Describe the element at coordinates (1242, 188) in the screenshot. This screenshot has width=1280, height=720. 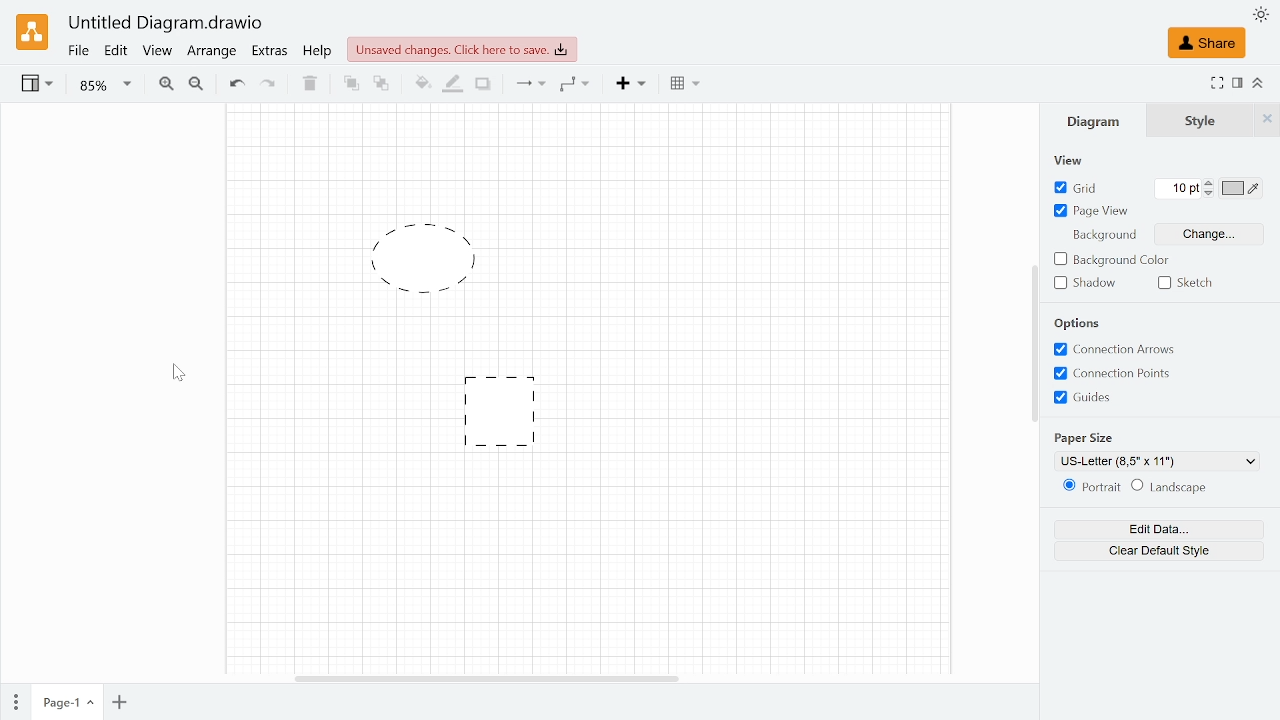
I see `Grid color` at that location.